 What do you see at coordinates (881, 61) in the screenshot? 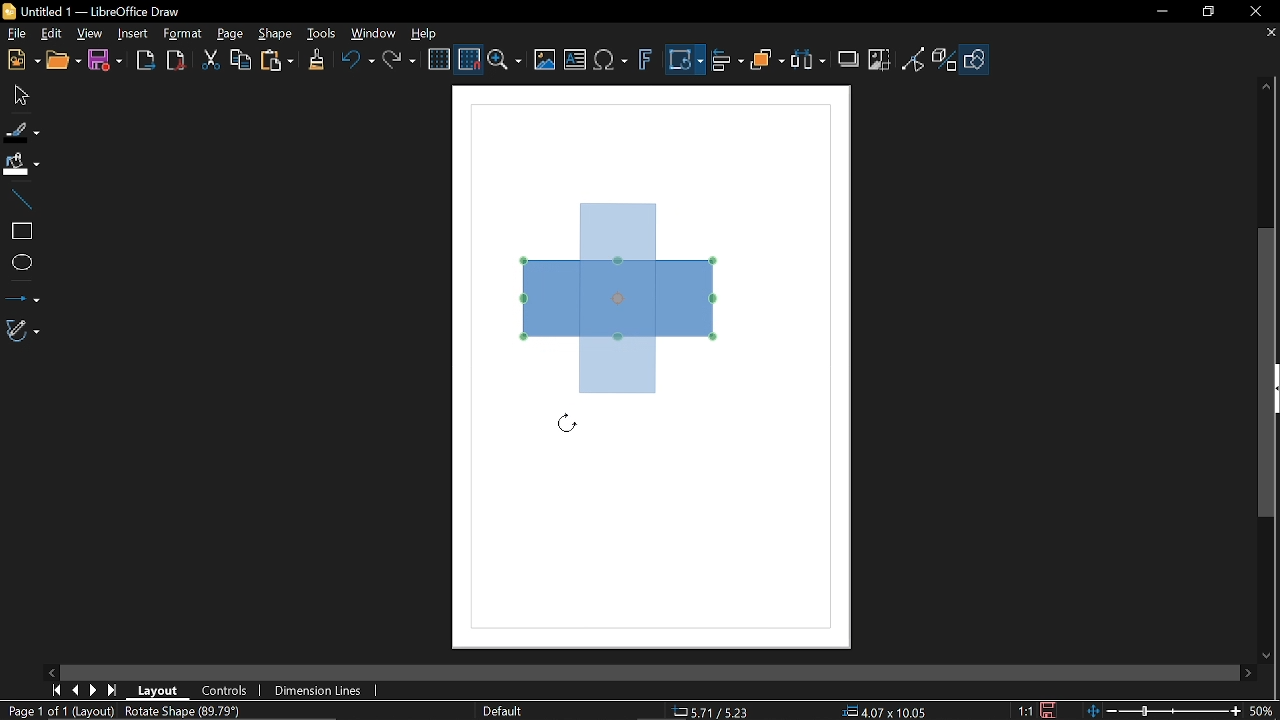
I see `Crop` at bounding box center [881, 61].